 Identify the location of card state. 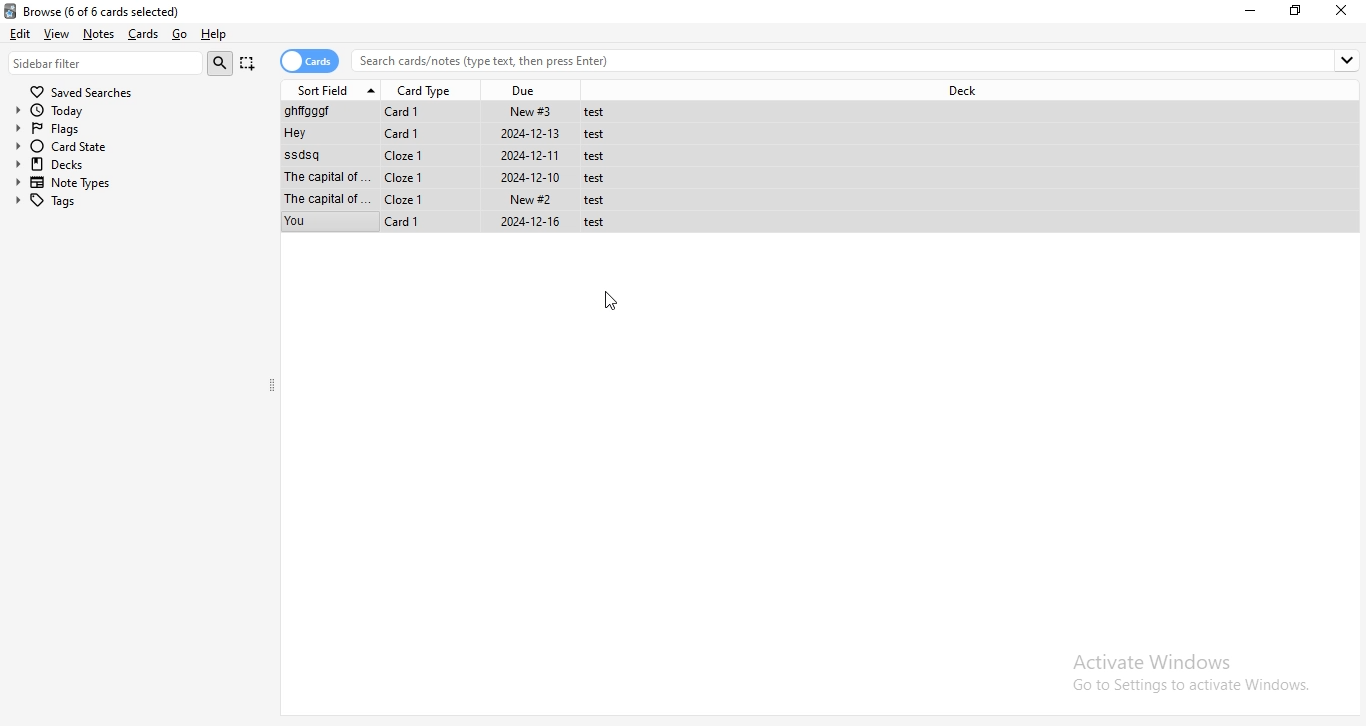
(134, 147).